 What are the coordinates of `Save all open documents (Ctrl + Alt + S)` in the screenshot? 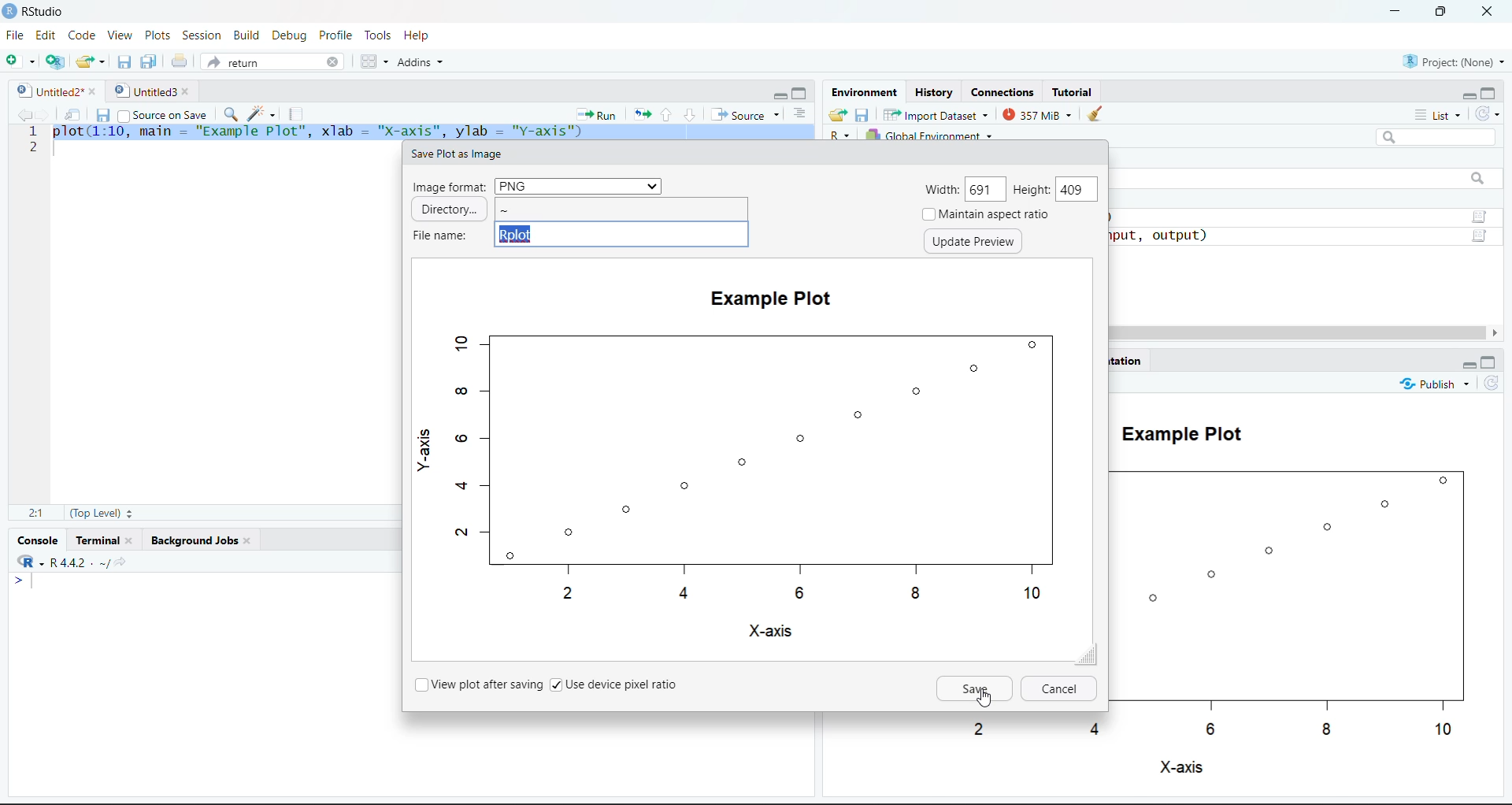 It's located at (150, 63).